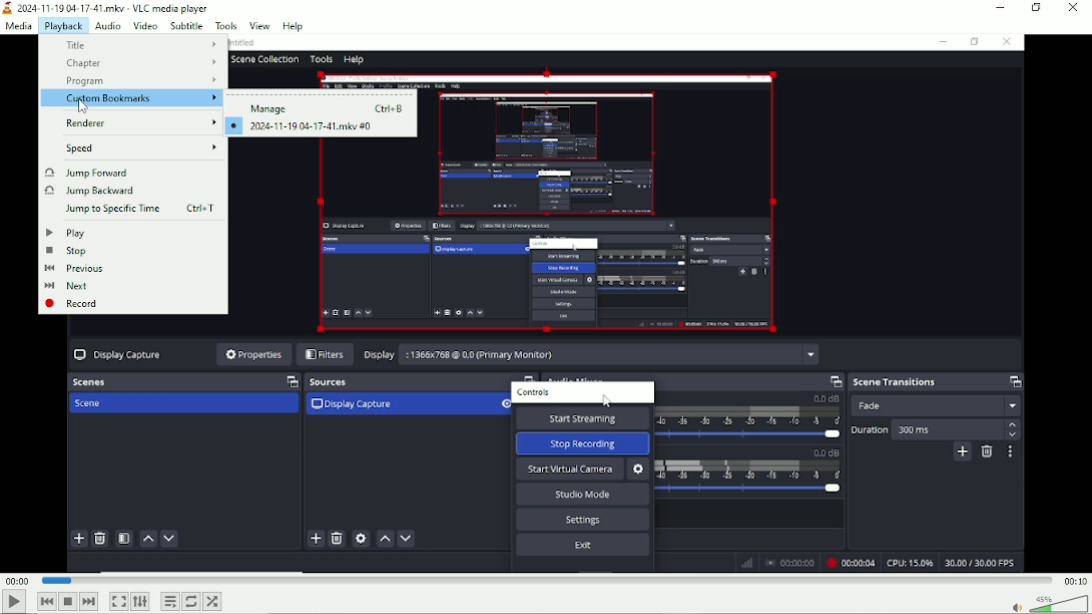  Describe the element at coordinates (140, 63) in the screenshot. I see `Chapter` at that location.